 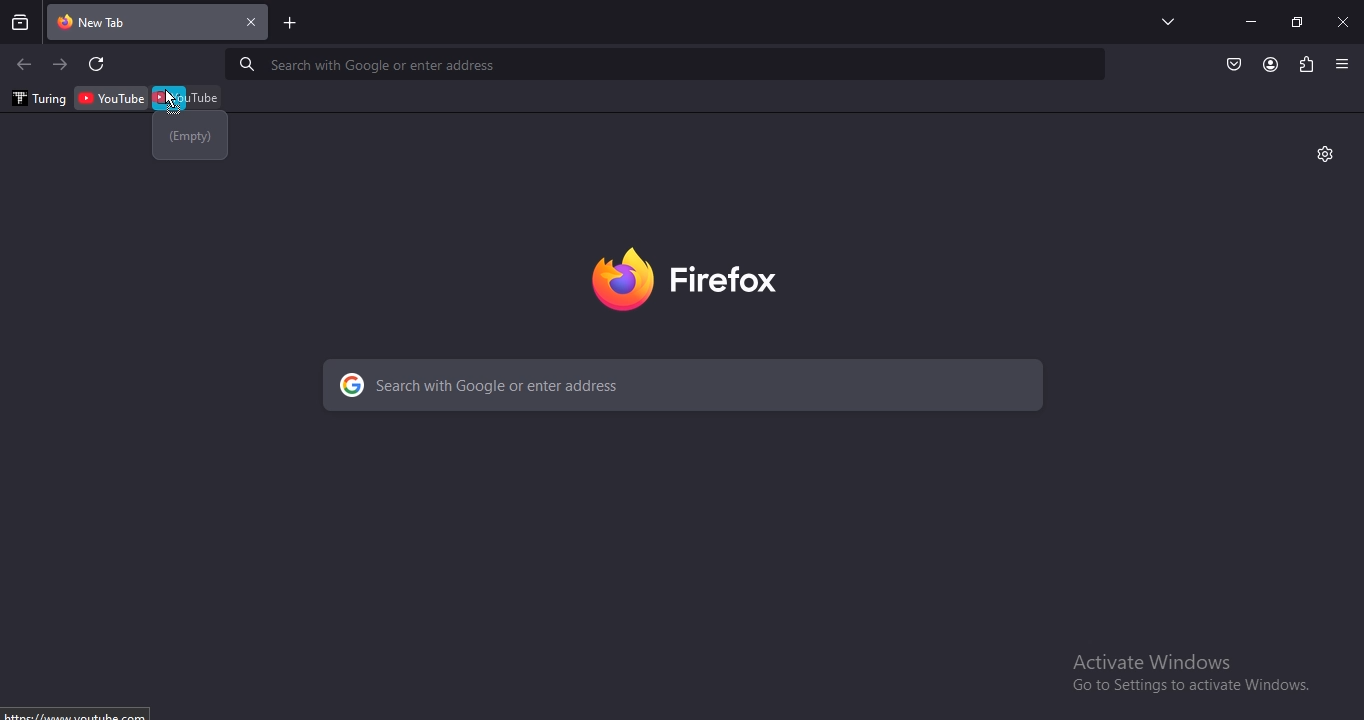 What do you see at coordinates (1343, 63) in the screenshot?
I see `view settings menu` at bounding box center [1343, 63].